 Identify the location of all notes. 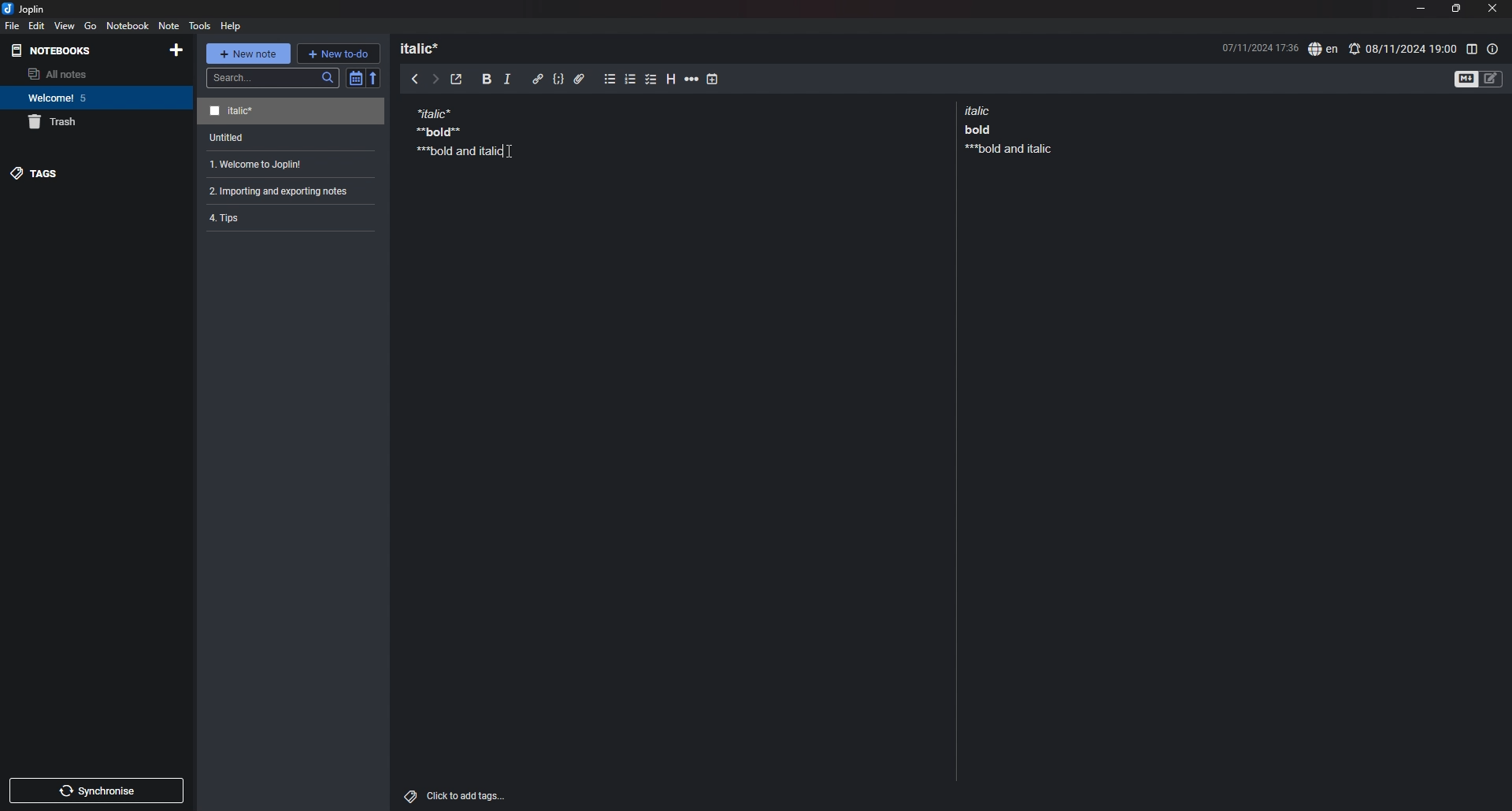
(92, 74).